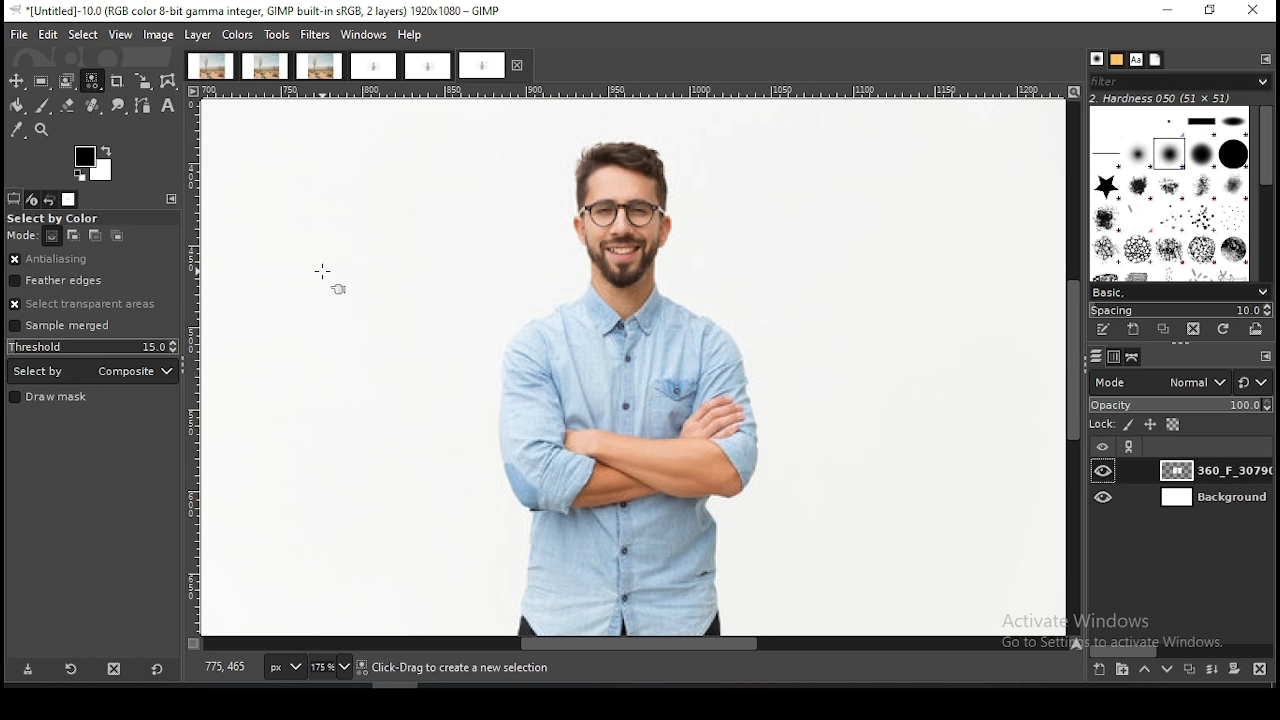  I want to click on windows, so click(364, 35).